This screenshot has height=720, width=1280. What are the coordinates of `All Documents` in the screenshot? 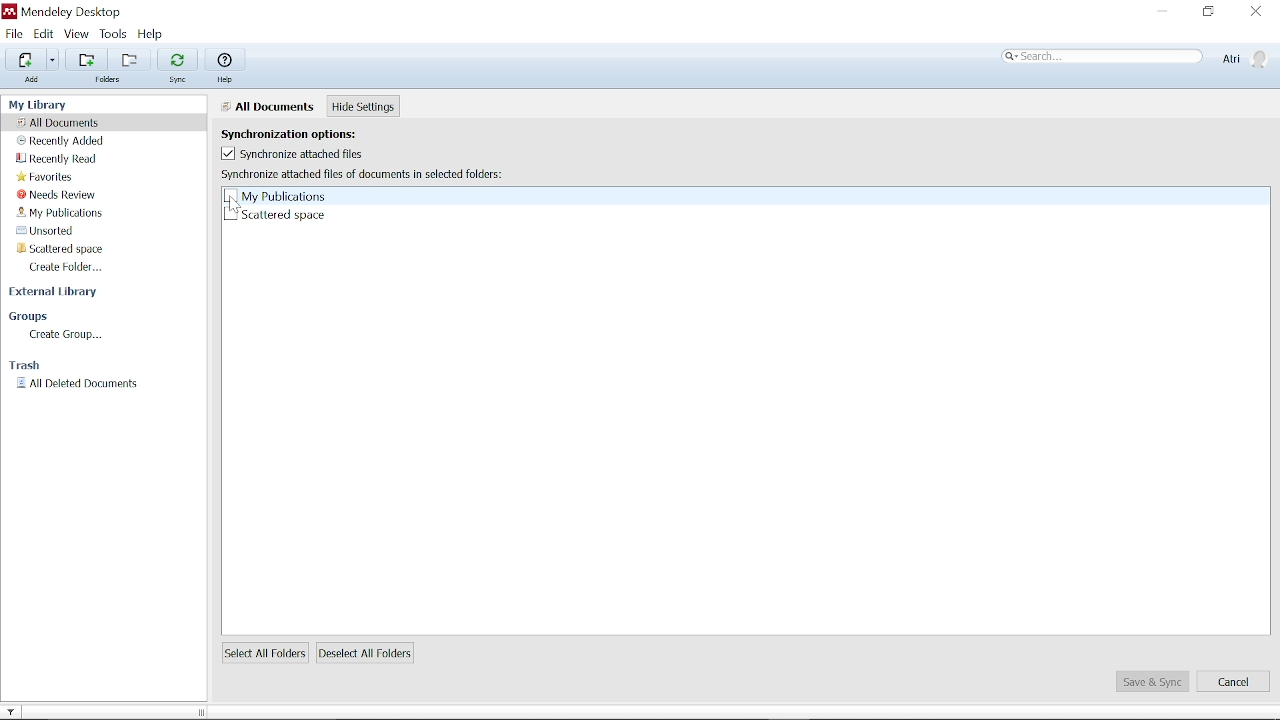 It's located at (268, 106).